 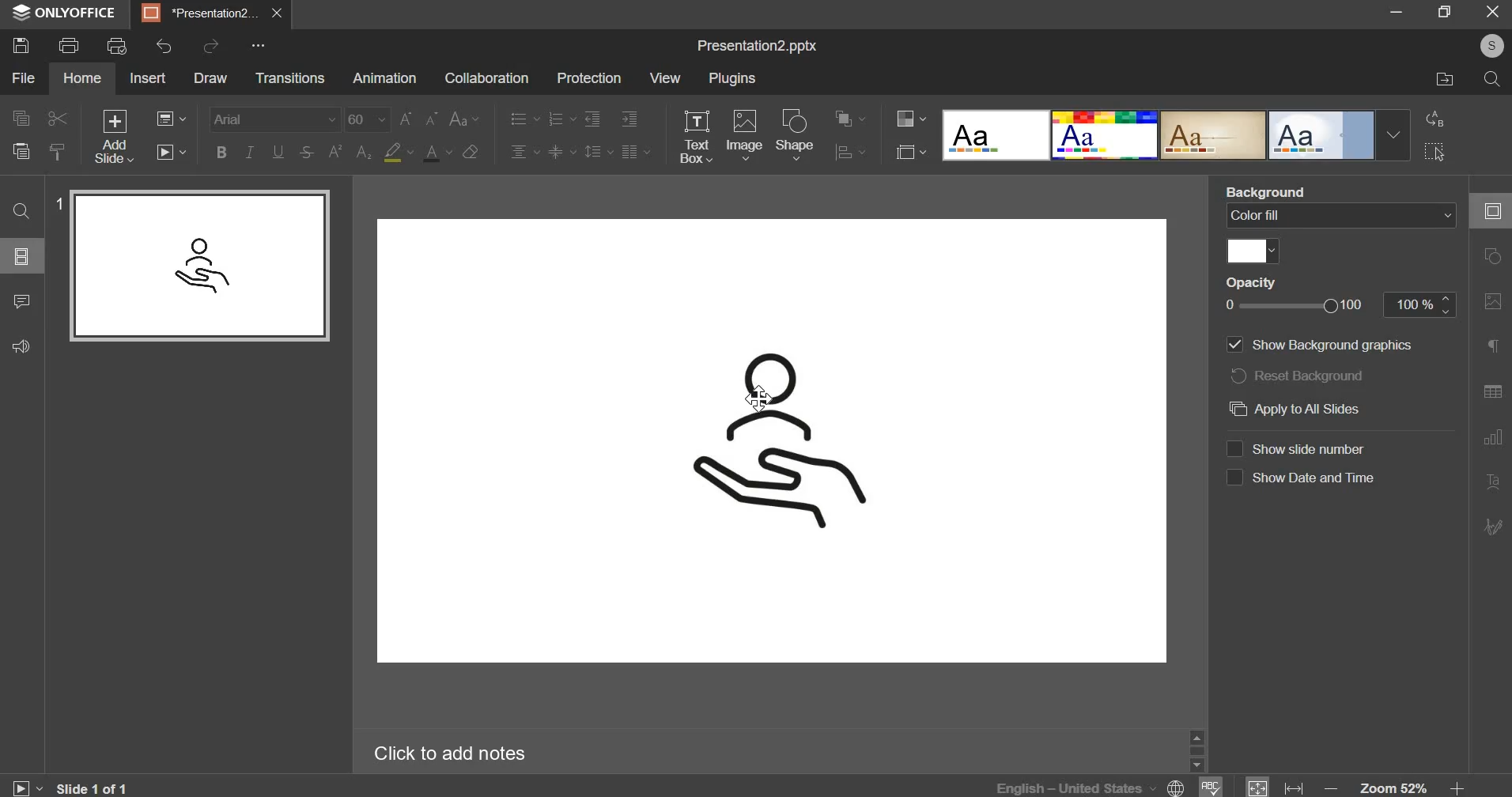 I want to click on comment, so click(x=21, y=301).